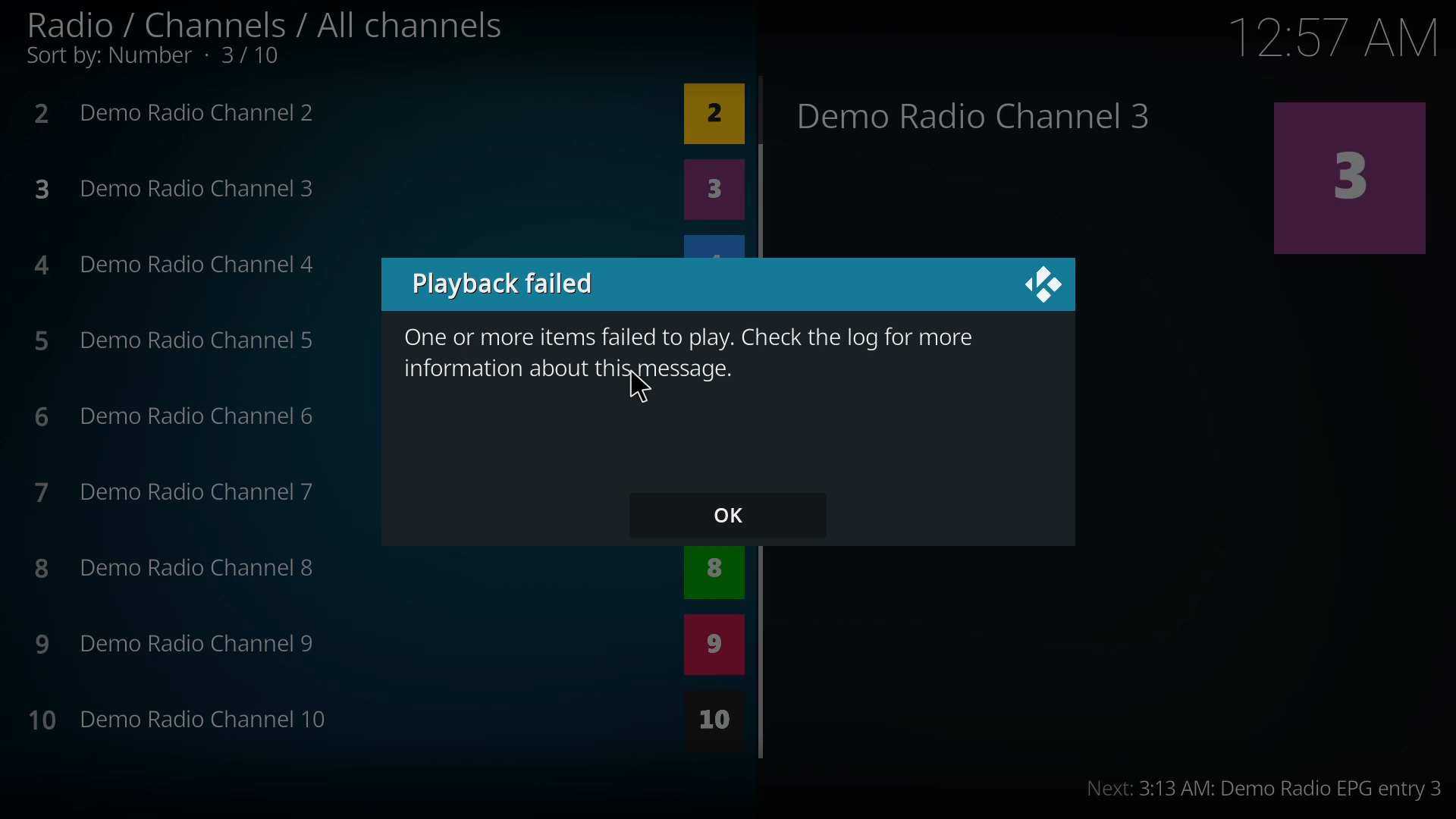 The height and width of the screenshot is (819, 1456). Describe the element at coordinates (184, 720) in the screenshot. I see `10 Demo Radio Channel 10` at that location.